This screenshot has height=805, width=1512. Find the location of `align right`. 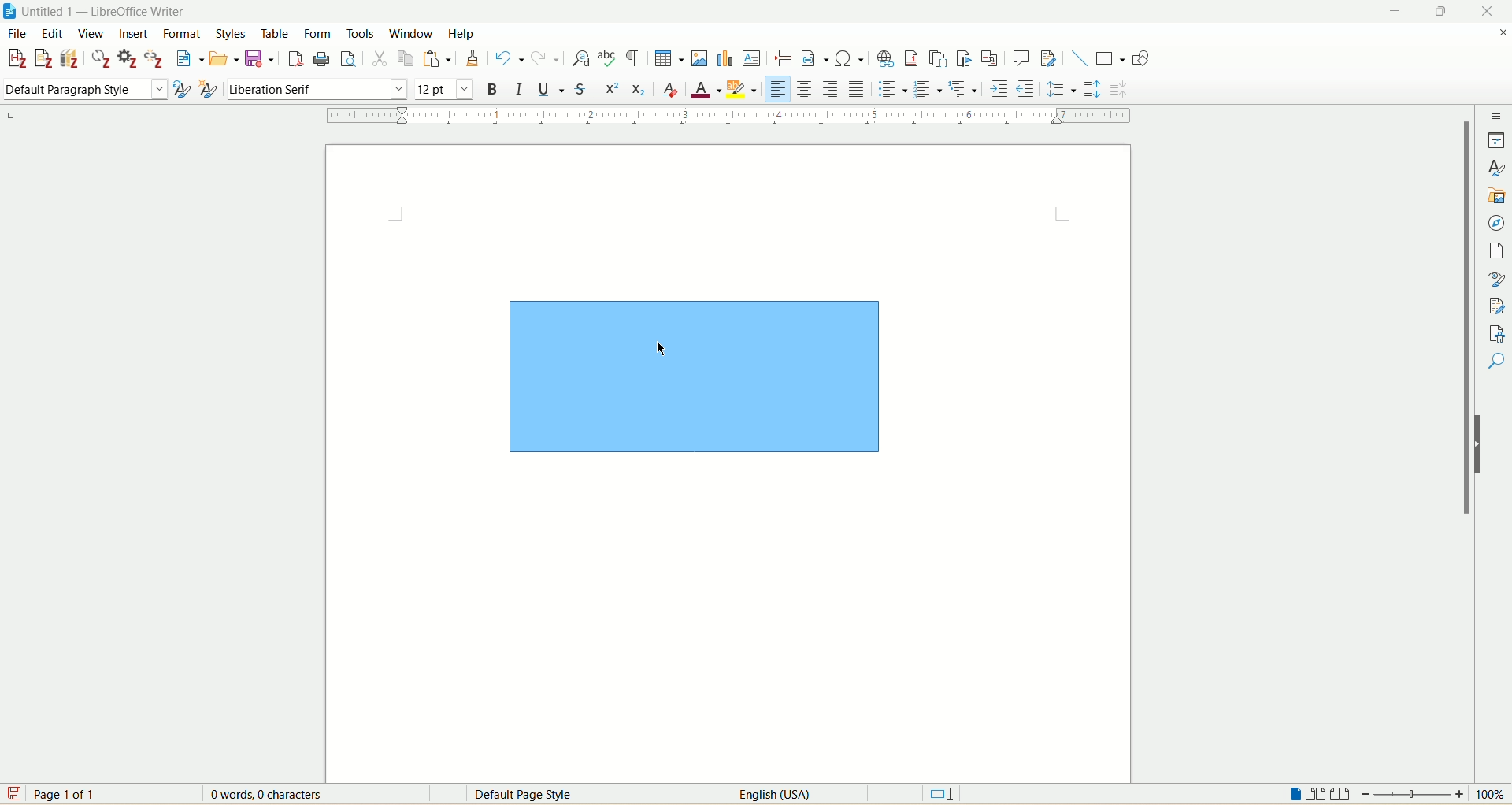

align right is located at coordinates (831, 90).